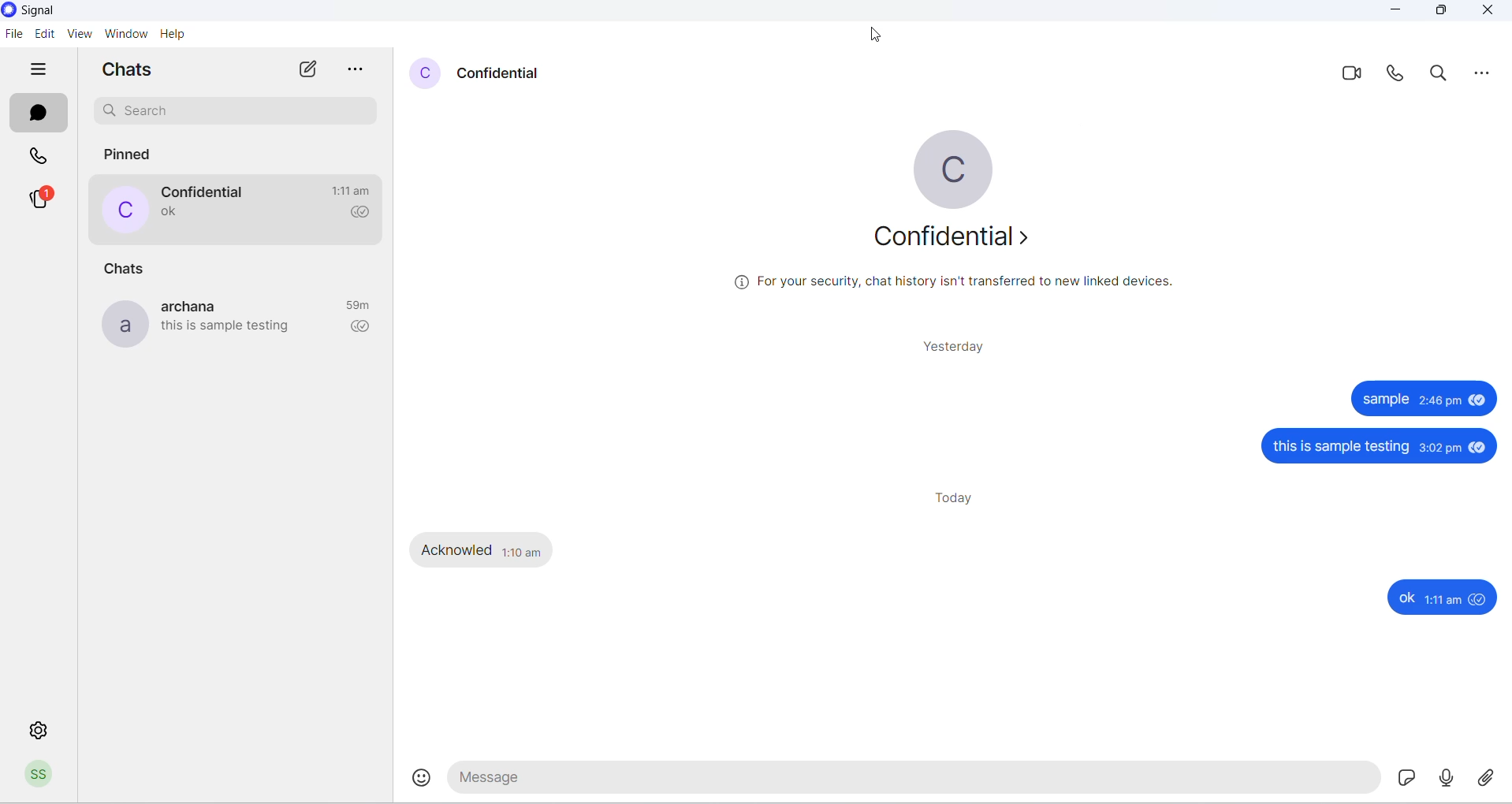  I want to click on profile picture, so click(959, 168).